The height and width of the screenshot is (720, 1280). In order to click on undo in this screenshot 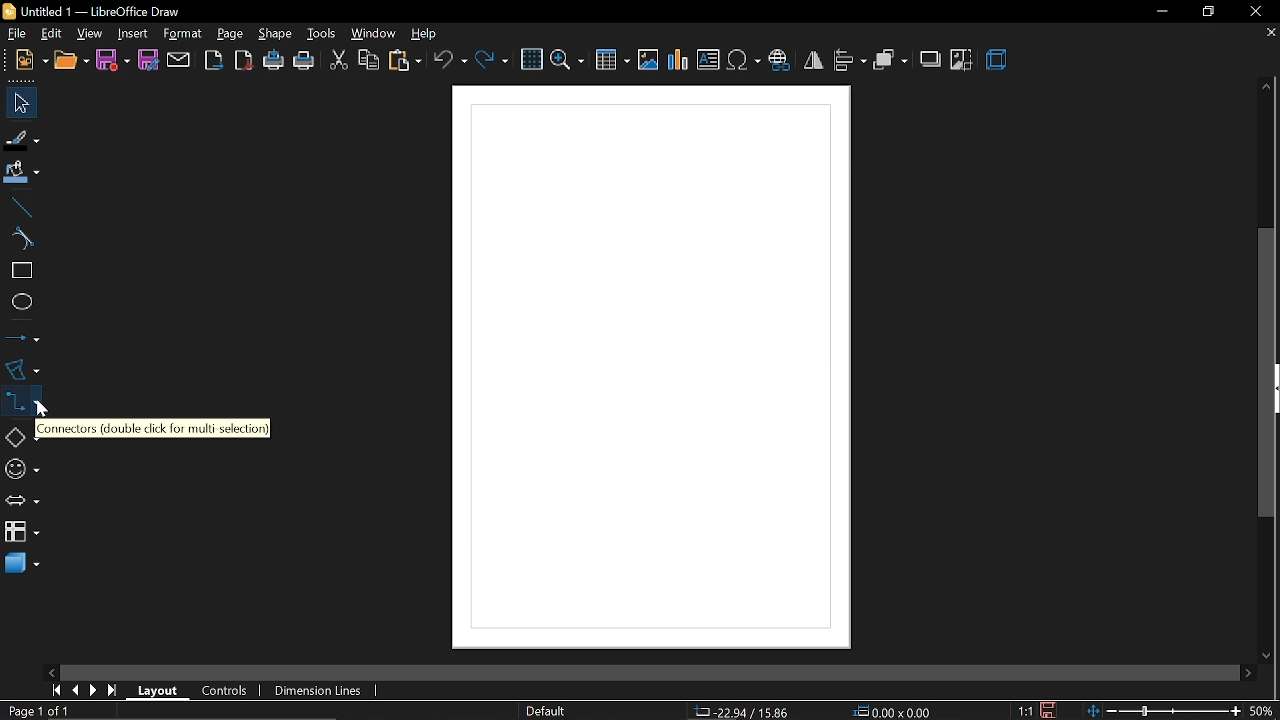, I will do `click(450, 61)`.